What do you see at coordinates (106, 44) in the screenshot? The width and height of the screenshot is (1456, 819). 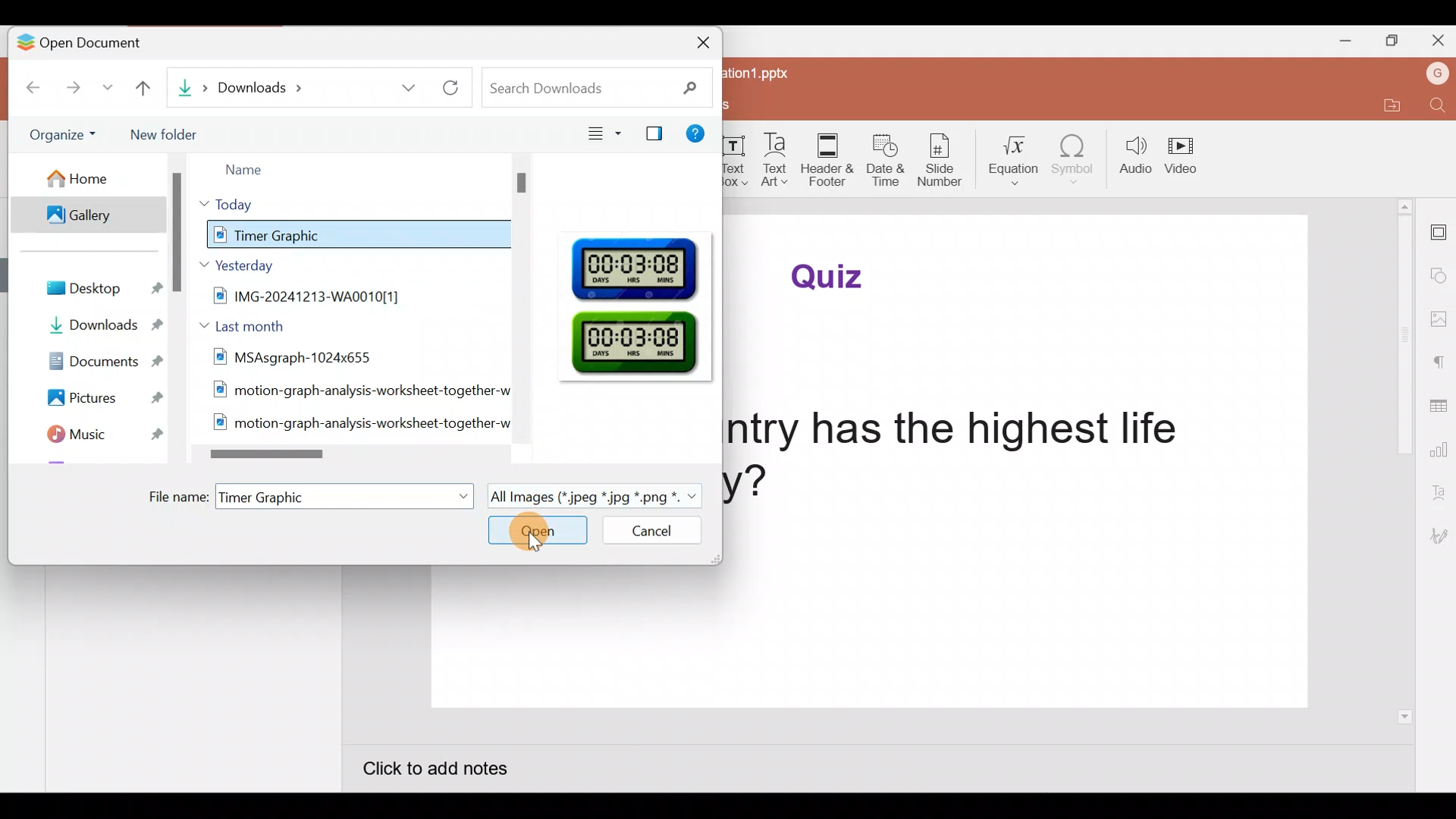 I see `Open document` at bounding box center [106, 44].